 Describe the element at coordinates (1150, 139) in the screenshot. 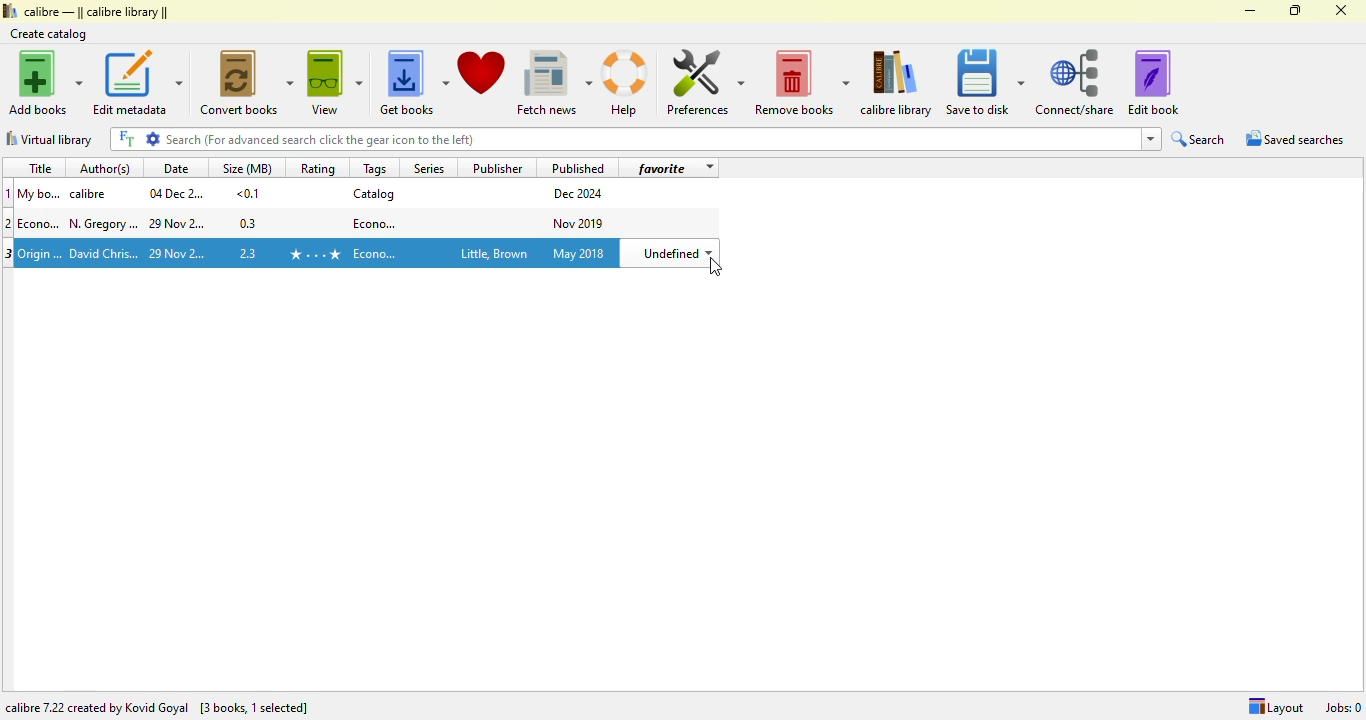

I see `dropdown` at that location.